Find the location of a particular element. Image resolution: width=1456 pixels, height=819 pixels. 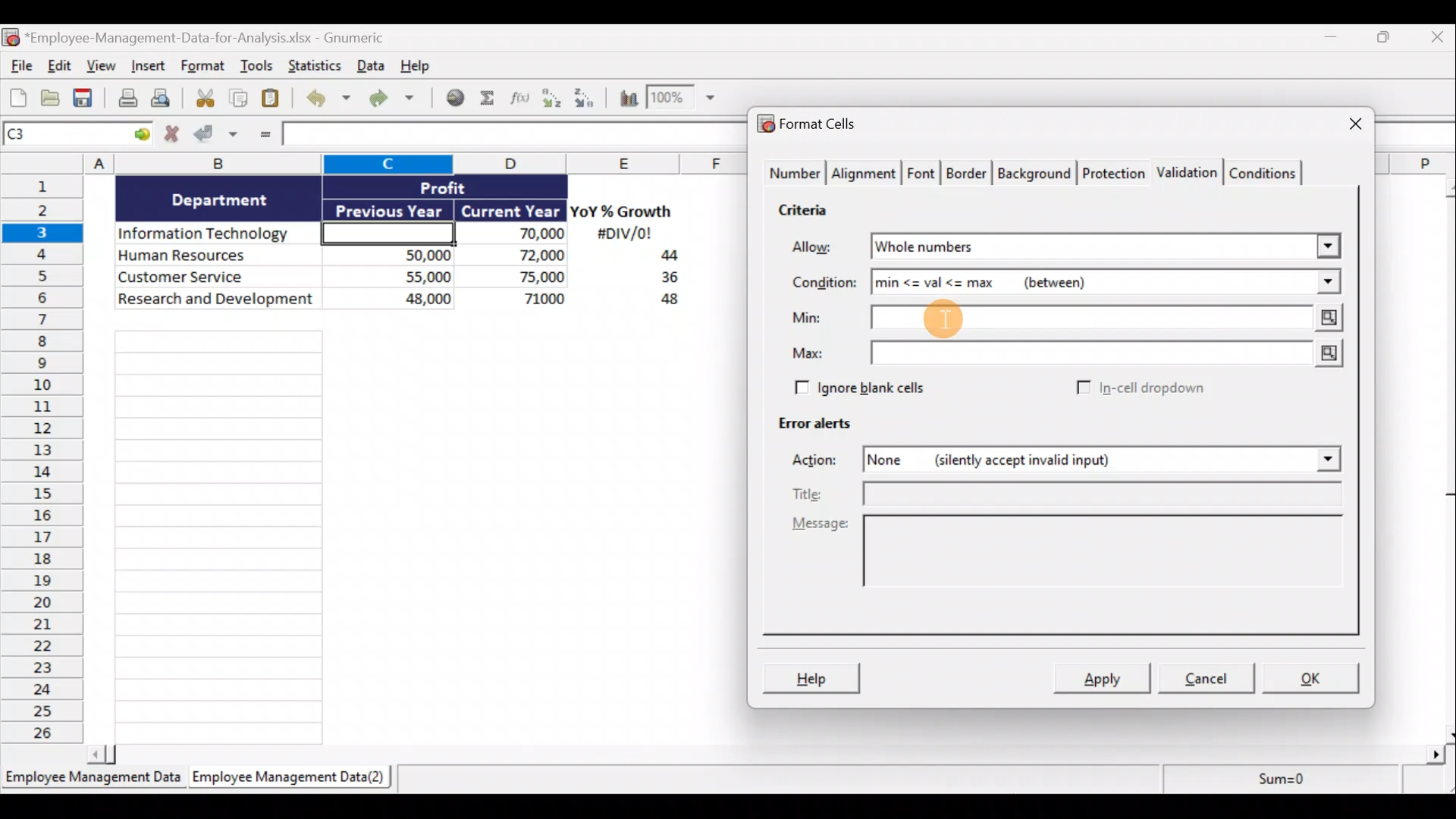

48 is located at coordinates (661, 302).